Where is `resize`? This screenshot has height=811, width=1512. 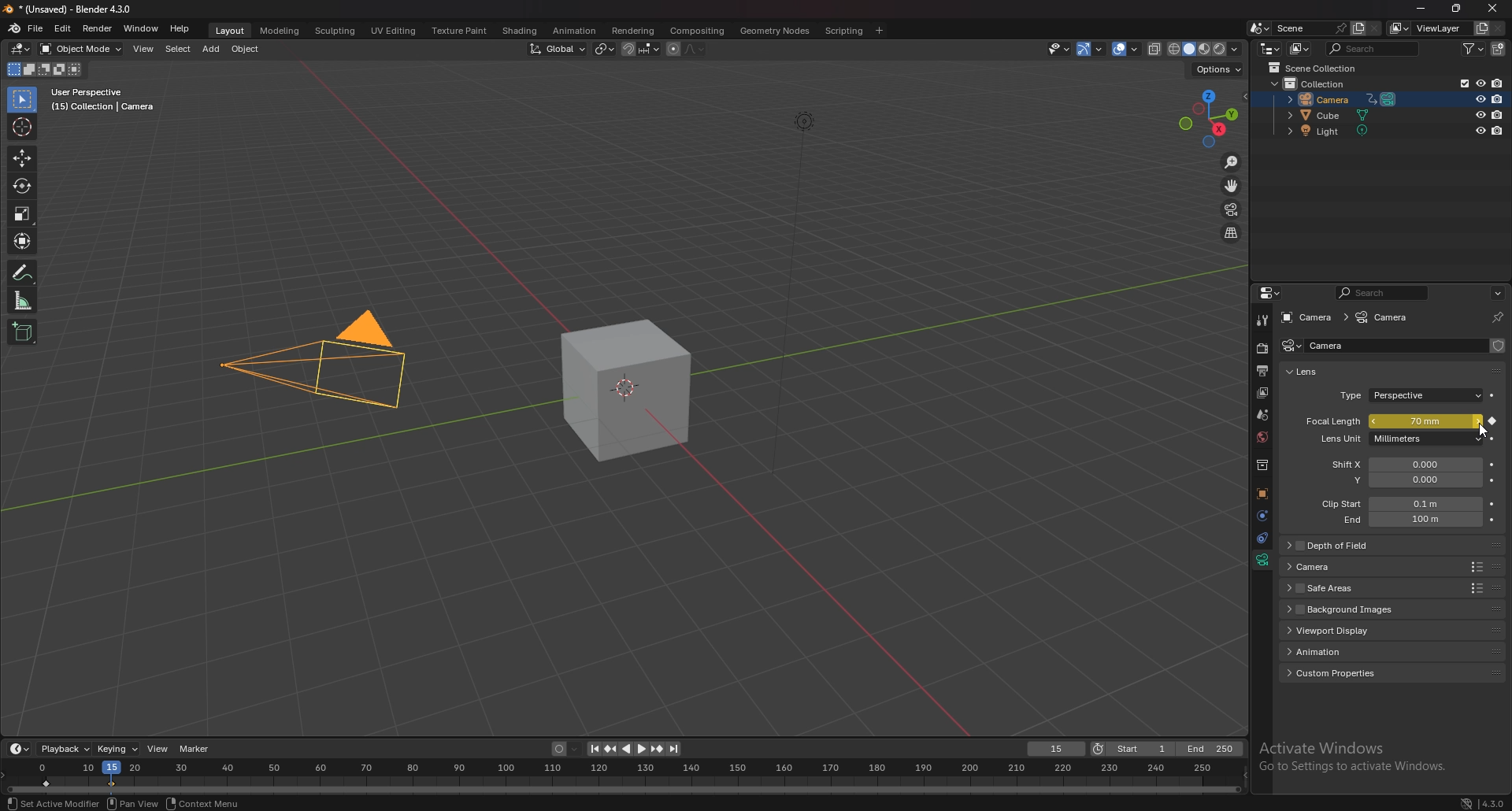
resize is located at coordinates (1455, 10).